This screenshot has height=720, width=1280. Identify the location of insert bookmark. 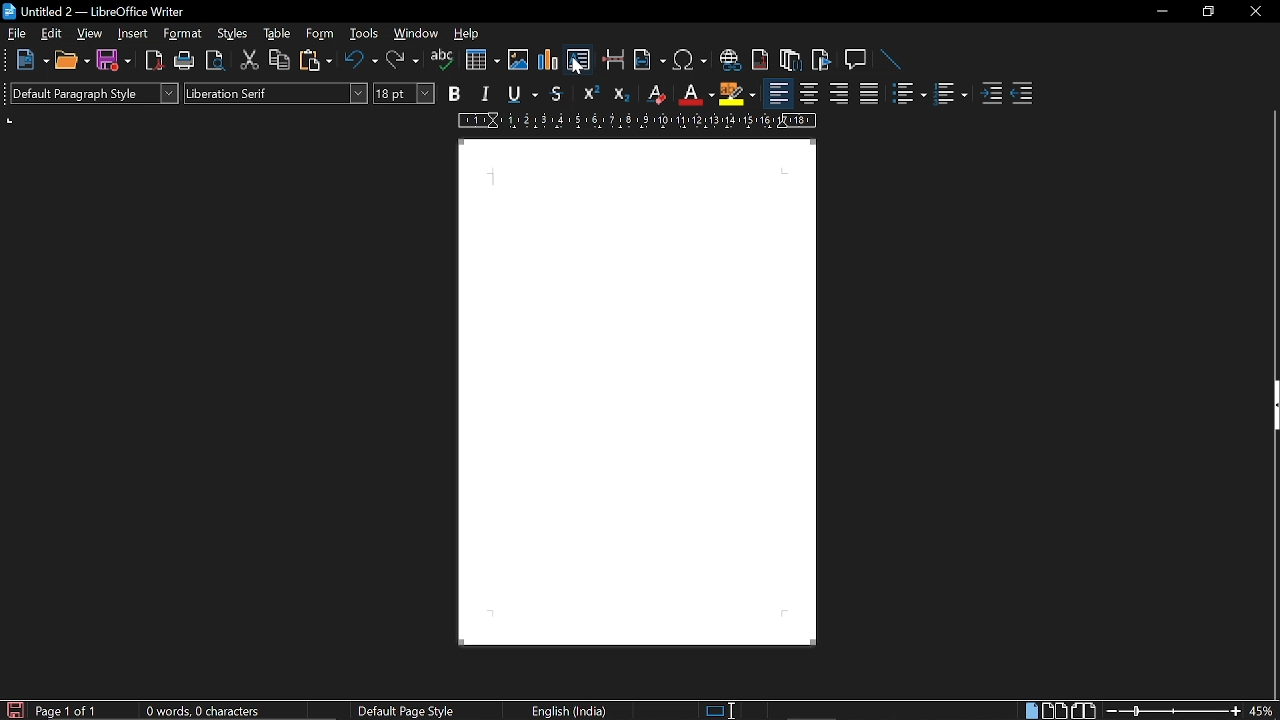
(822, 60).